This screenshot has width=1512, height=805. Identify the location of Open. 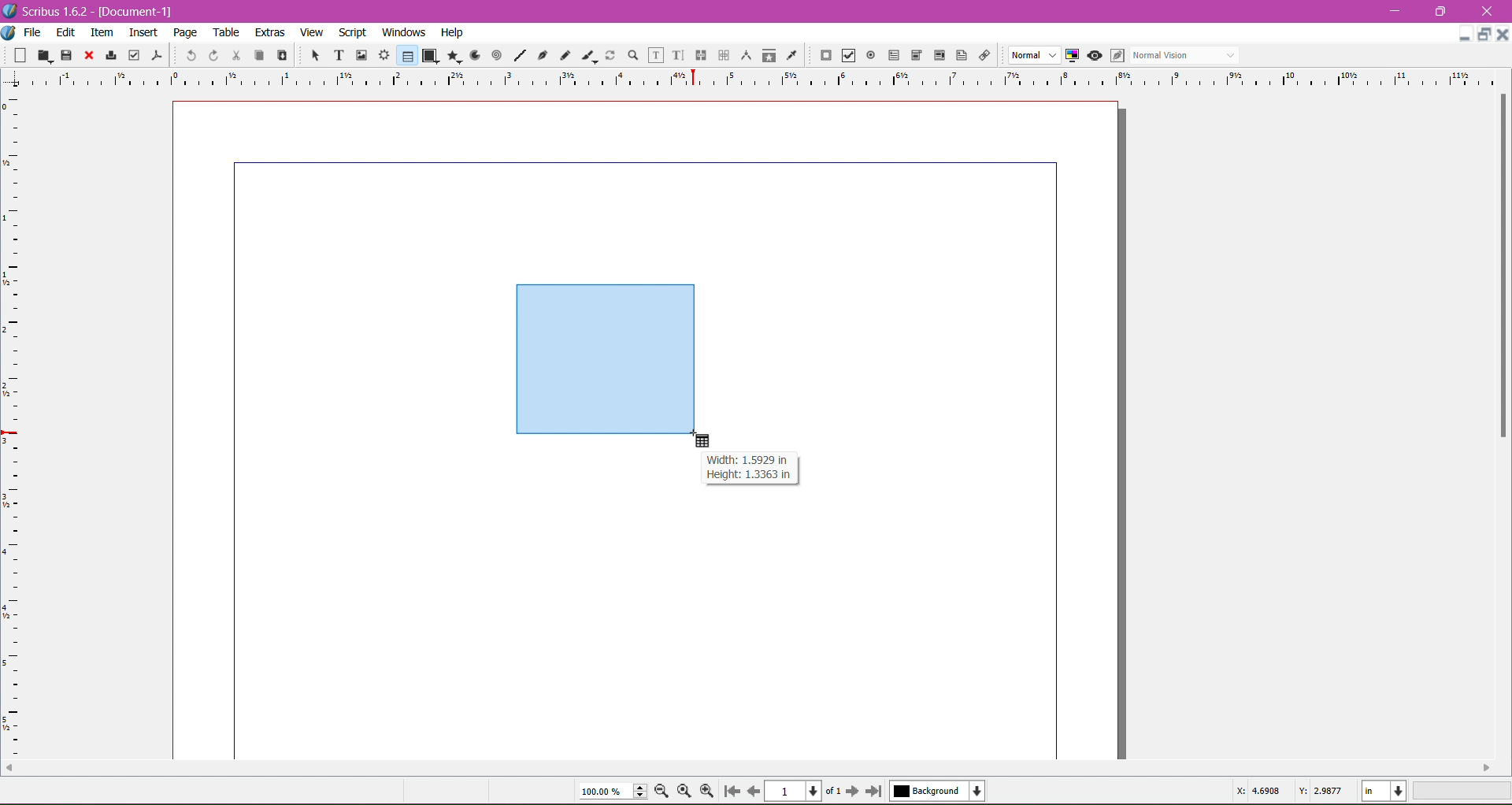
(46, 54).